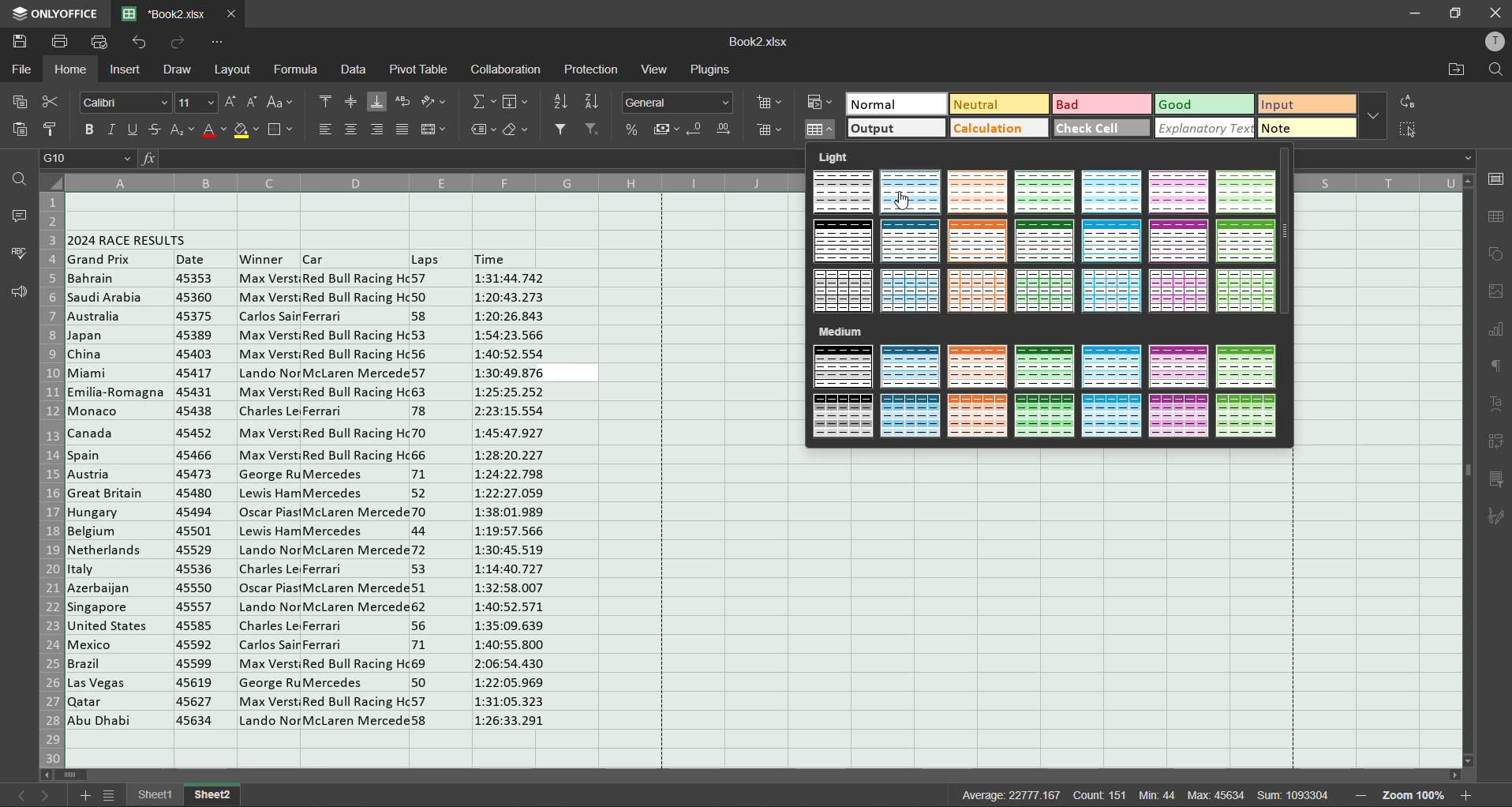 The width and height of the screenshot is (1512, 807). I want to click on shapes, so click(1495, 258).